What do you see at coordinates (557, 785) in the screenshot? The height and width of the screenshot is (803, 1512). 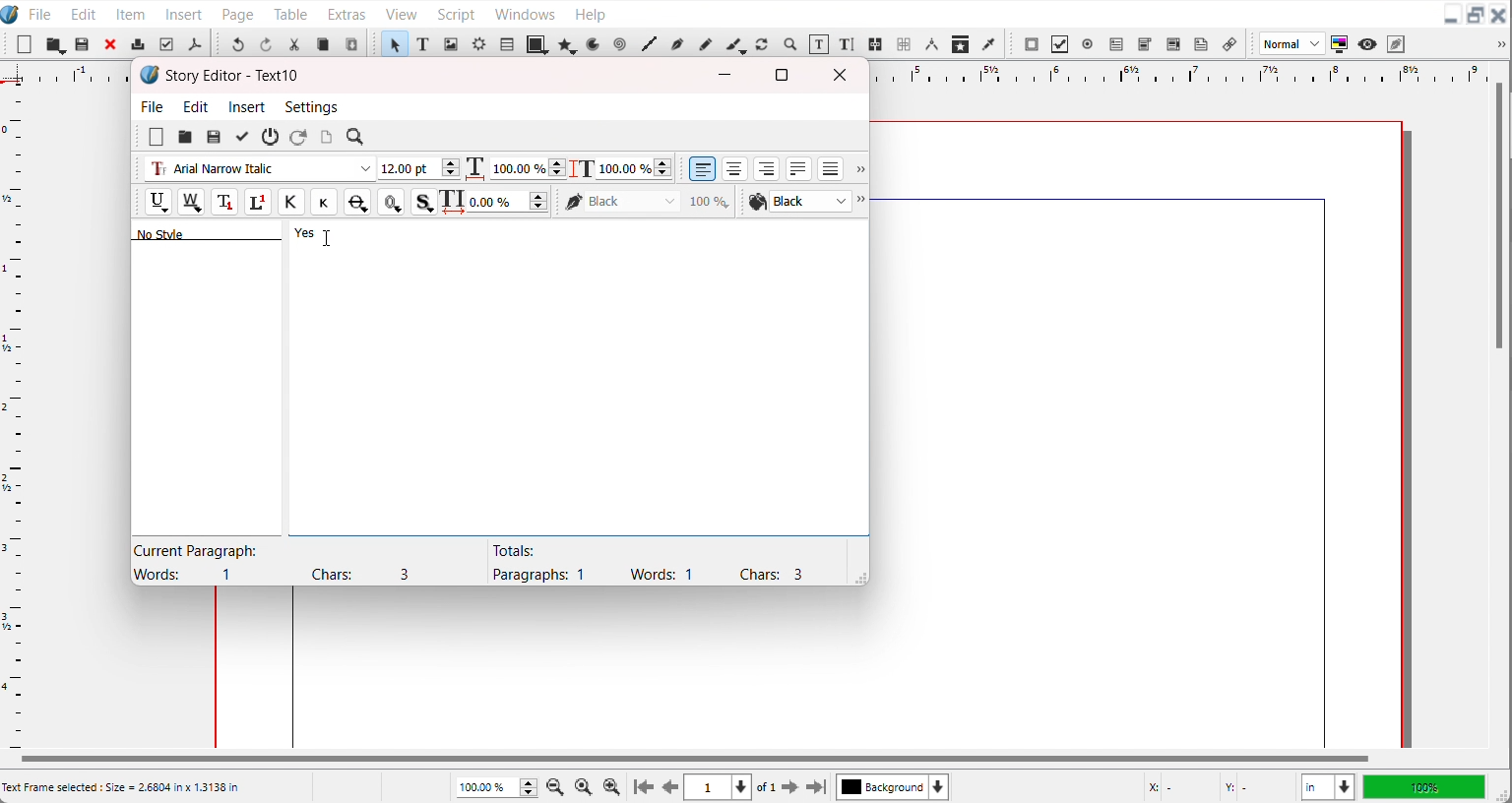 I see `Zoom Out` at bounding box center [557, 785].